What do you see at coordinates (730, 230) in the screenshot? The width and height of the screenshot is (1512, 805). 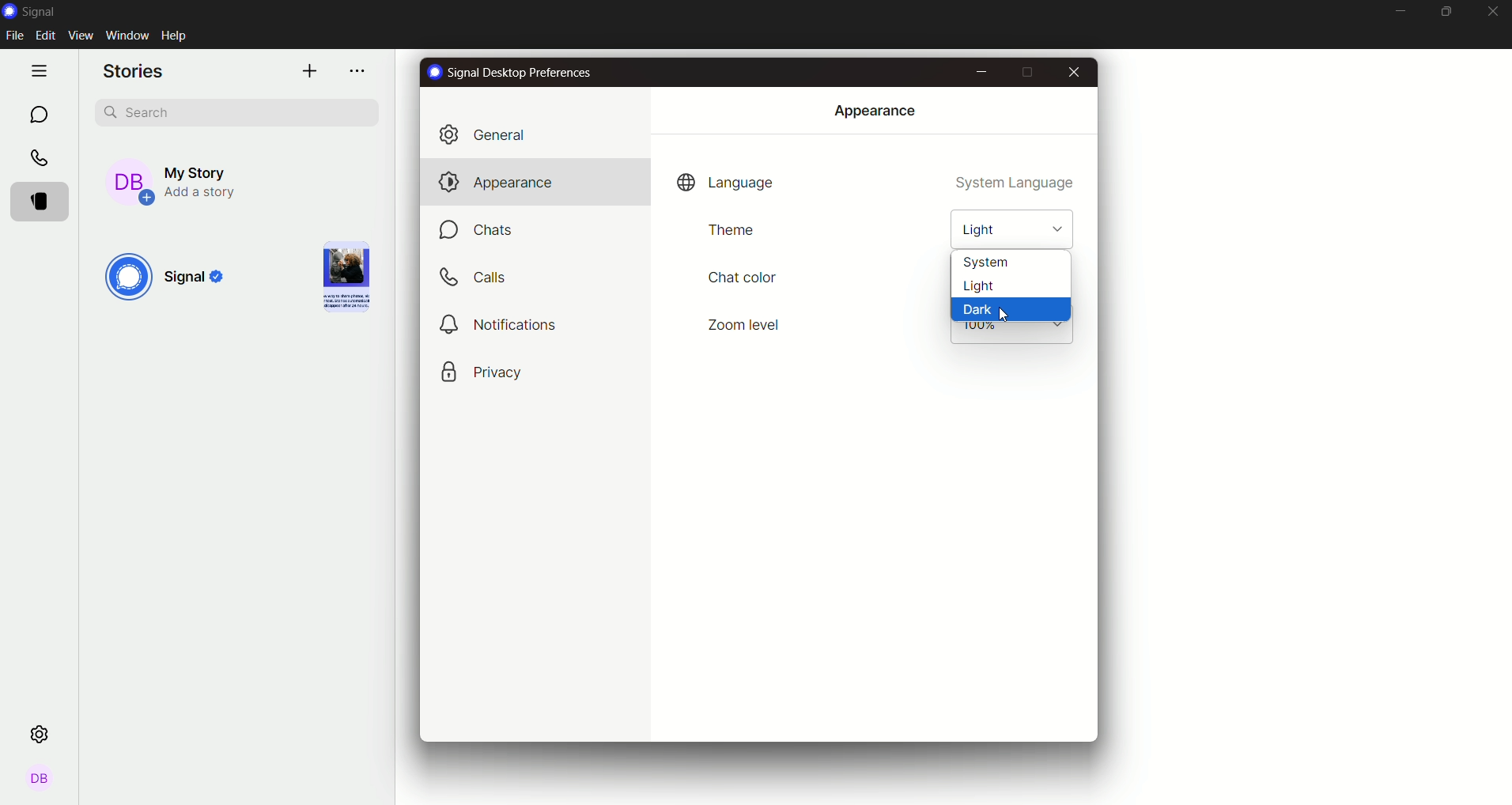 I see `theme` at bounding box center [730, 230].